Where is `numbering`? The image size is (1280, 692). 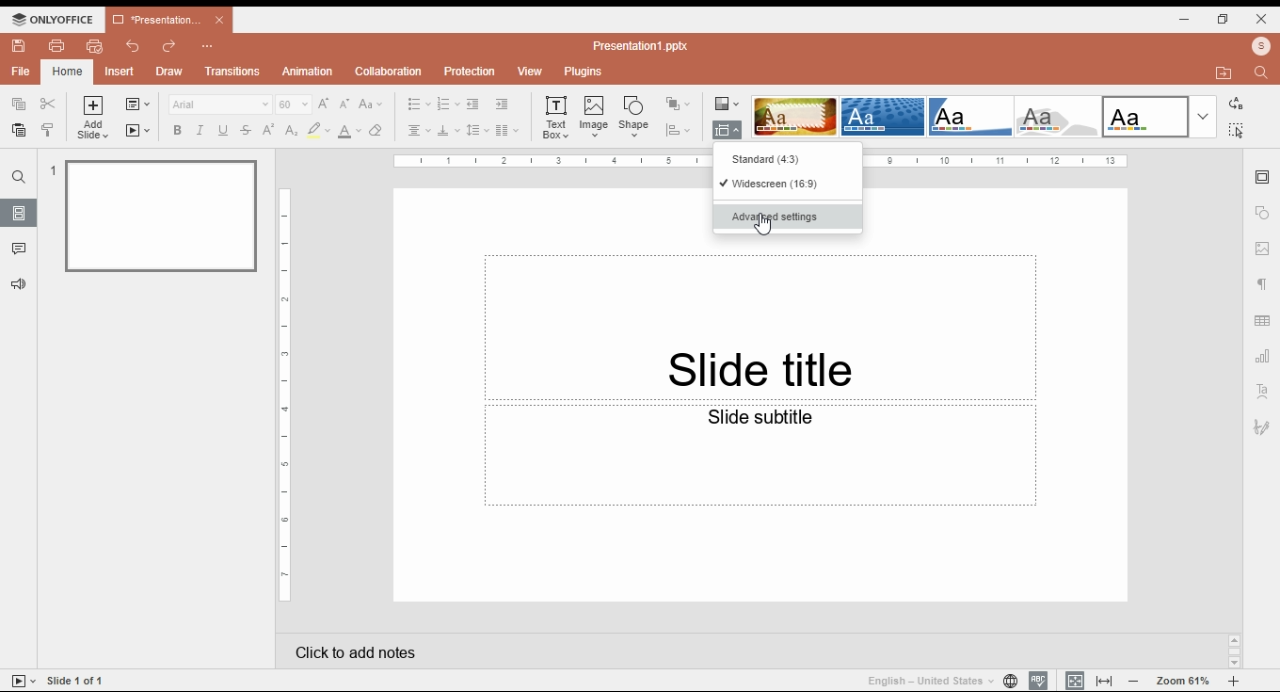 numbering is located at coordinates (448, 105).